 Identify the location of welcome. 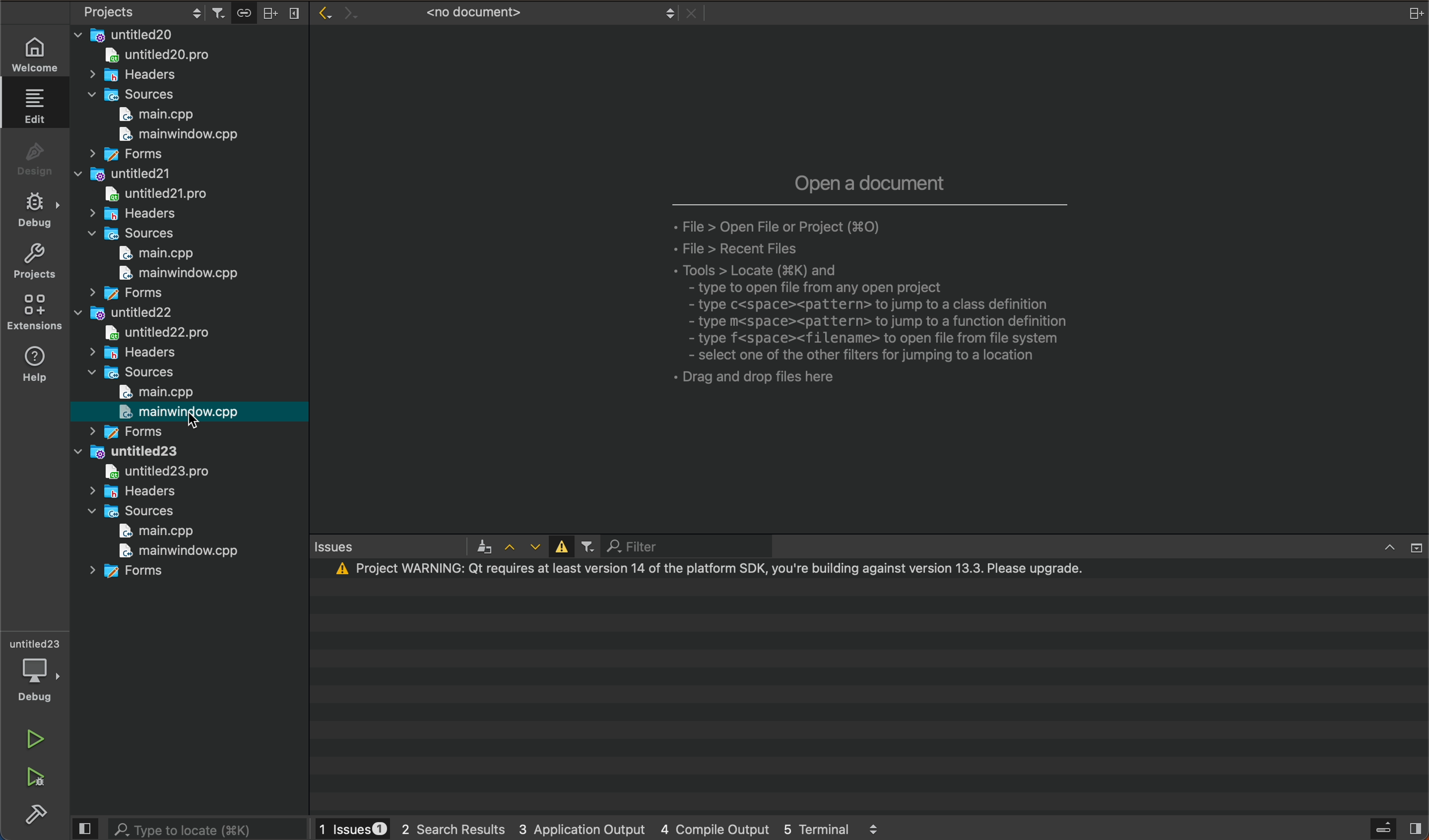
(34, 51).